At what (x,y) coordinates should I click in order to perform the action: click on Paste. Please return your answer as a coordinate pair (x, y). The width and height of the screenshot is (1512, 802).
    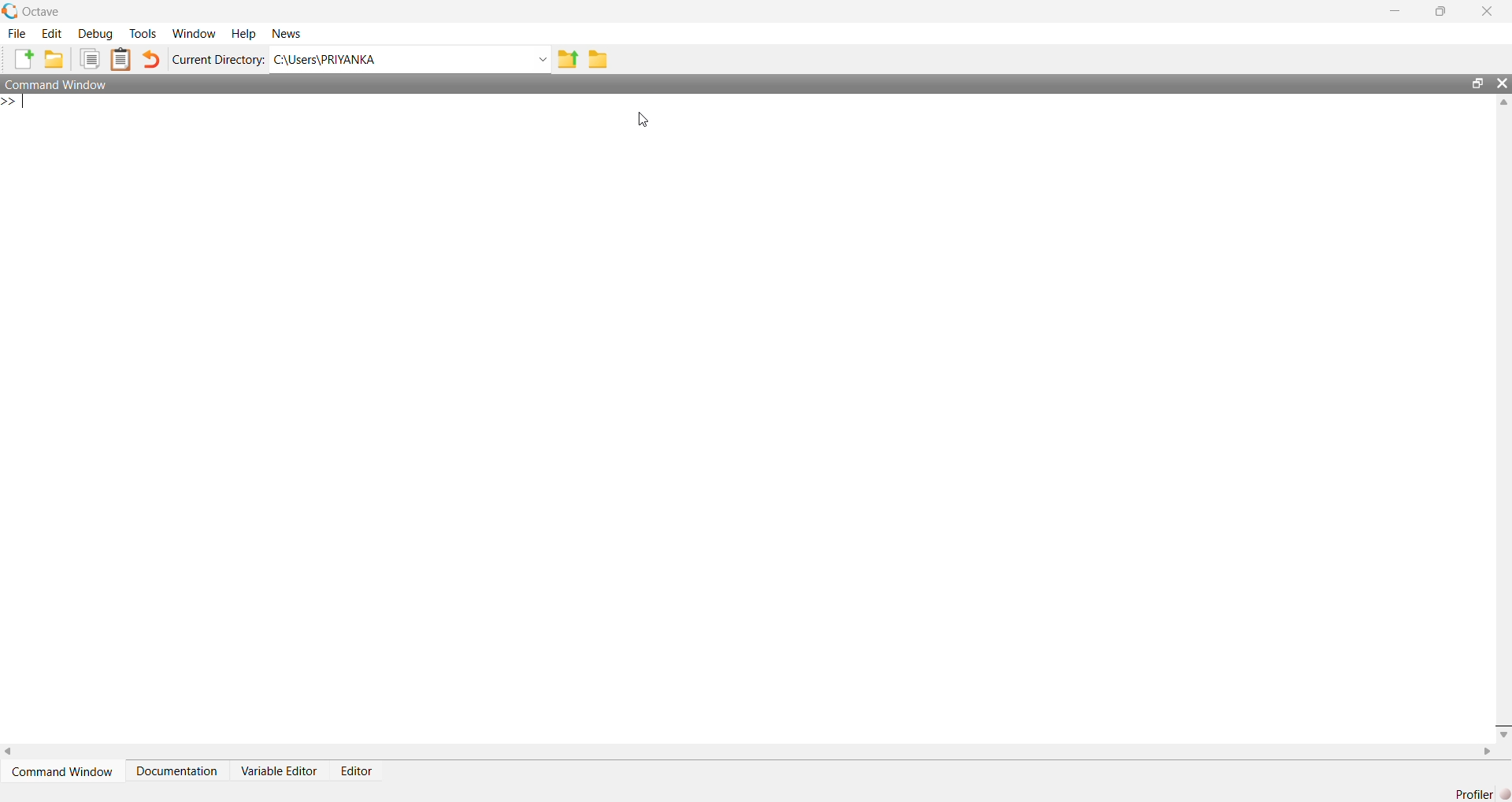
    Looking at the image, I should click on (121, 60).